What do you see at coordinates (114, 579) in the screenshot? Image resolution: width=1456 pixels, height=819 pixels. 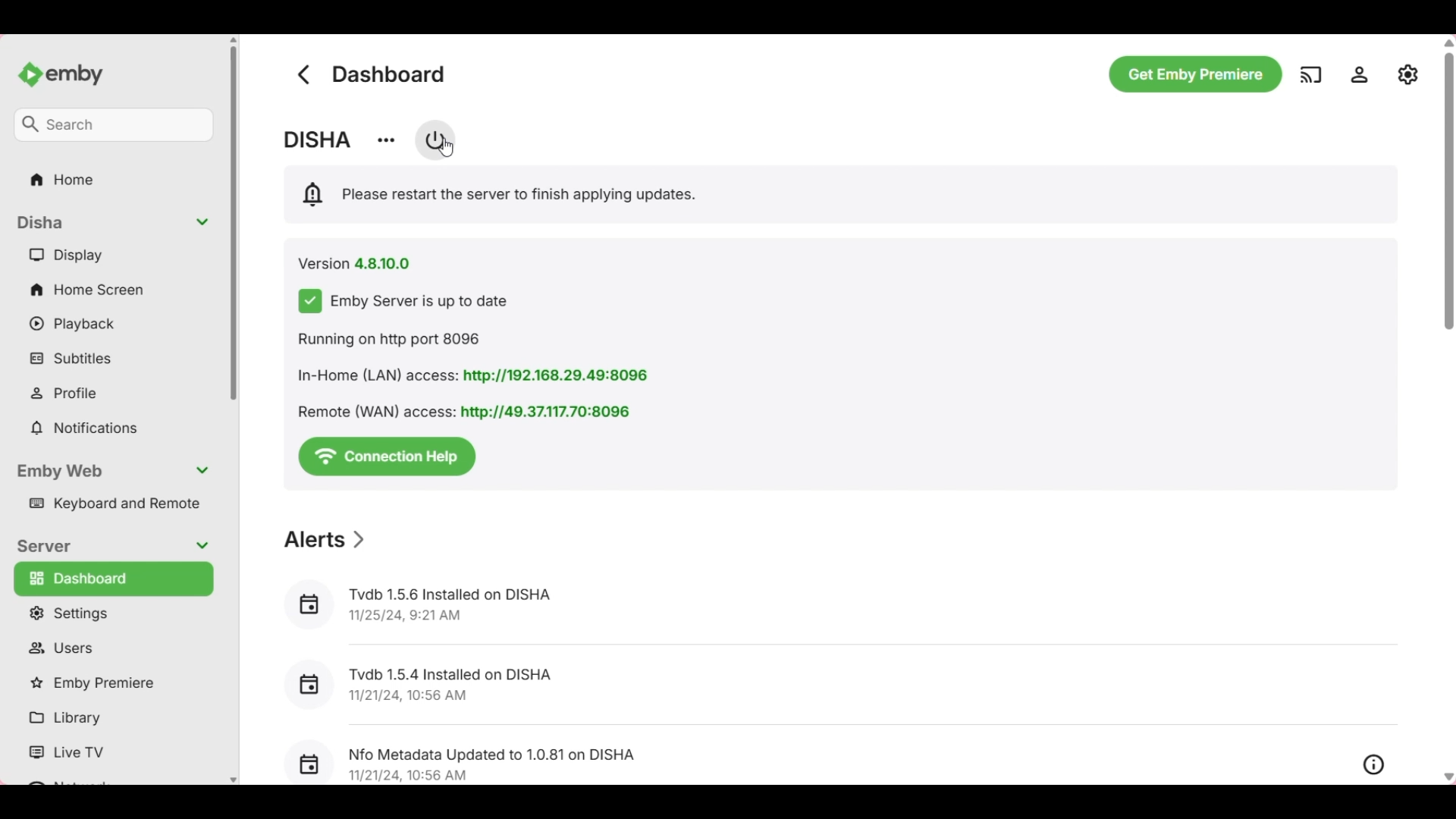 I see `Dashboard, current selection highlighted` at bounding box center [114, 579].